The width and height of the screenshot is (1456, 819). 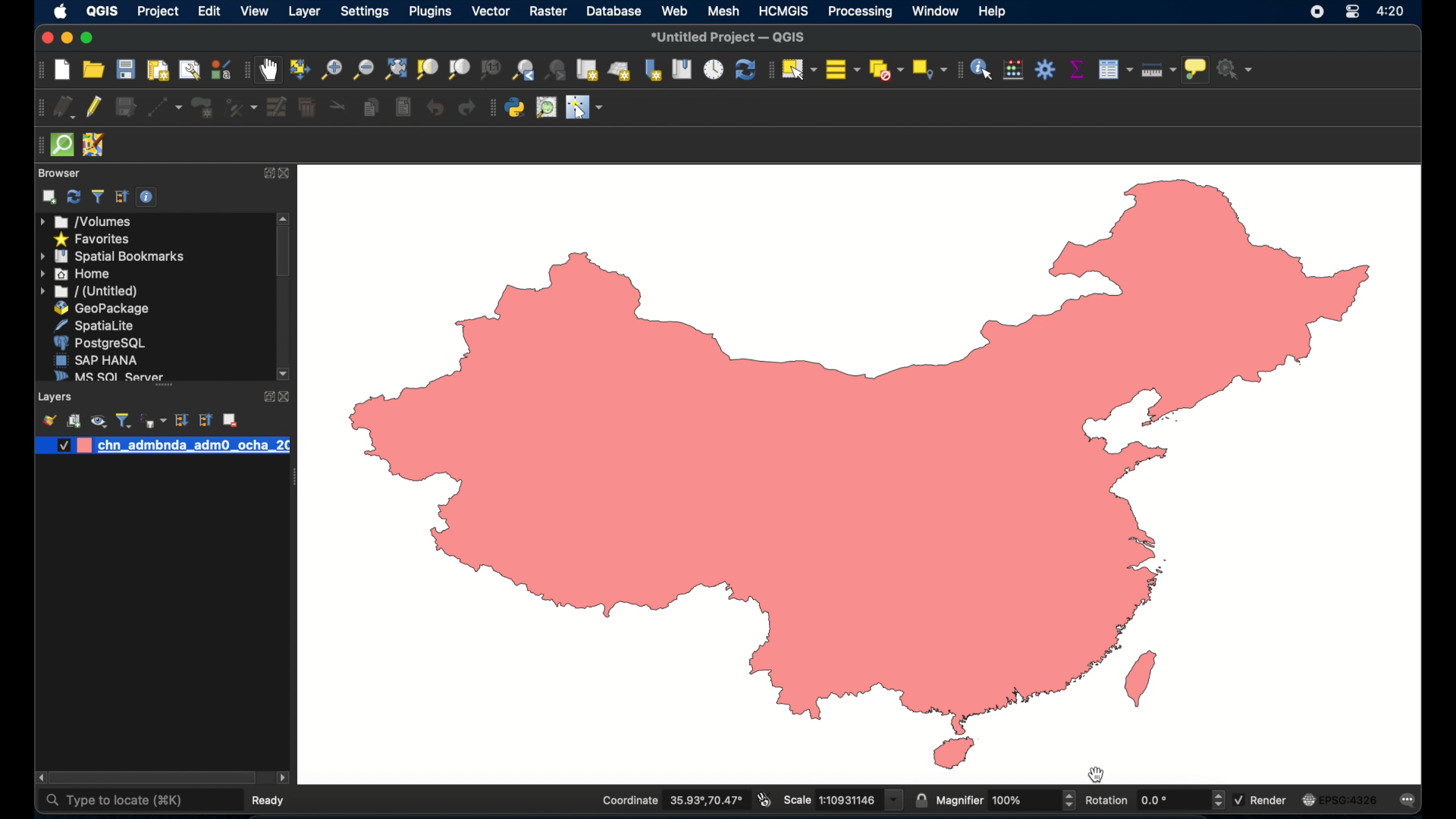 What do you see at coordinates (957, 71) in the screenshot?
I see `attributes toolbar` at bounding box center [957, 71].